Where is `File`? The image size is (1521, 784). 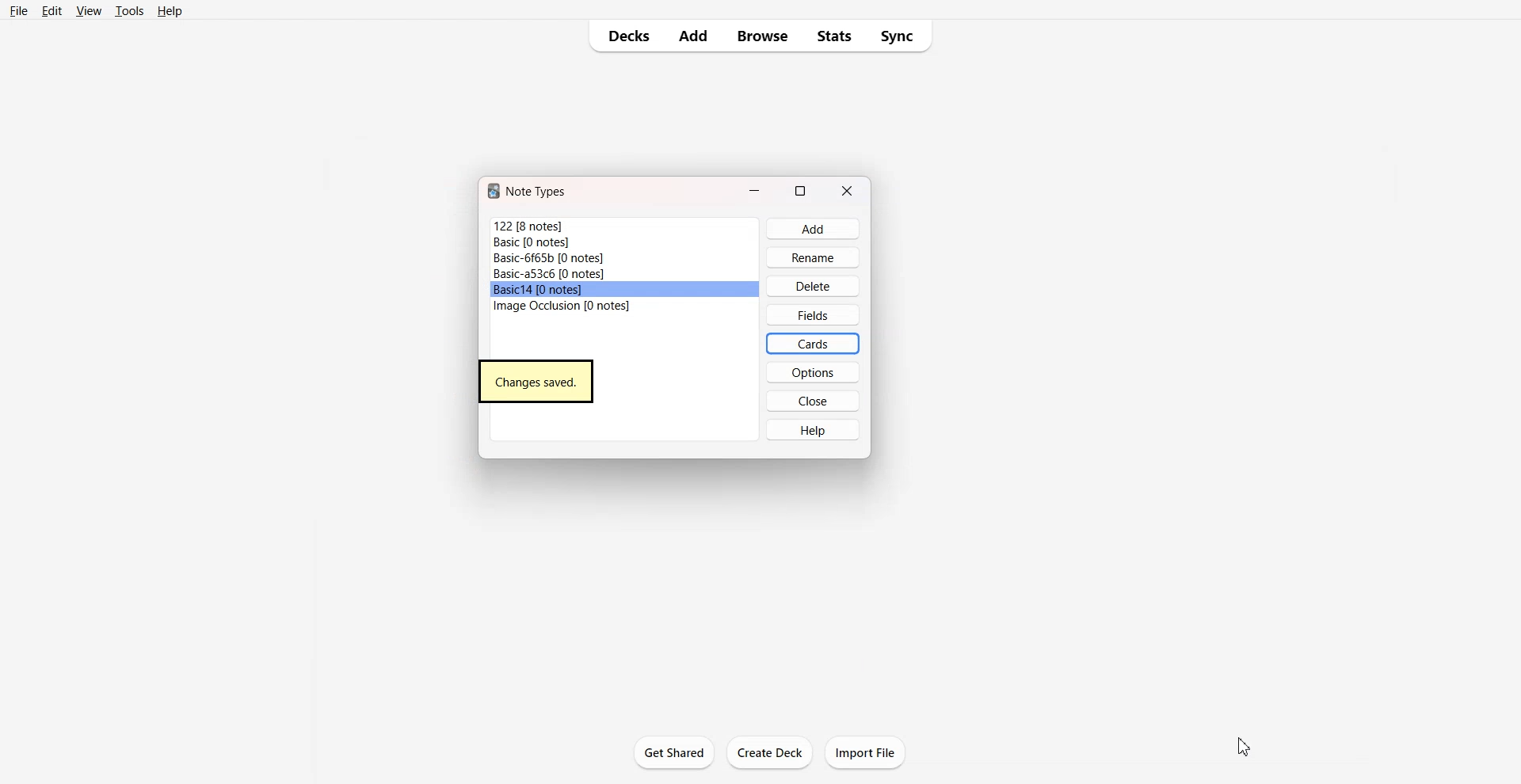
File is located at coordinates (625, 226).